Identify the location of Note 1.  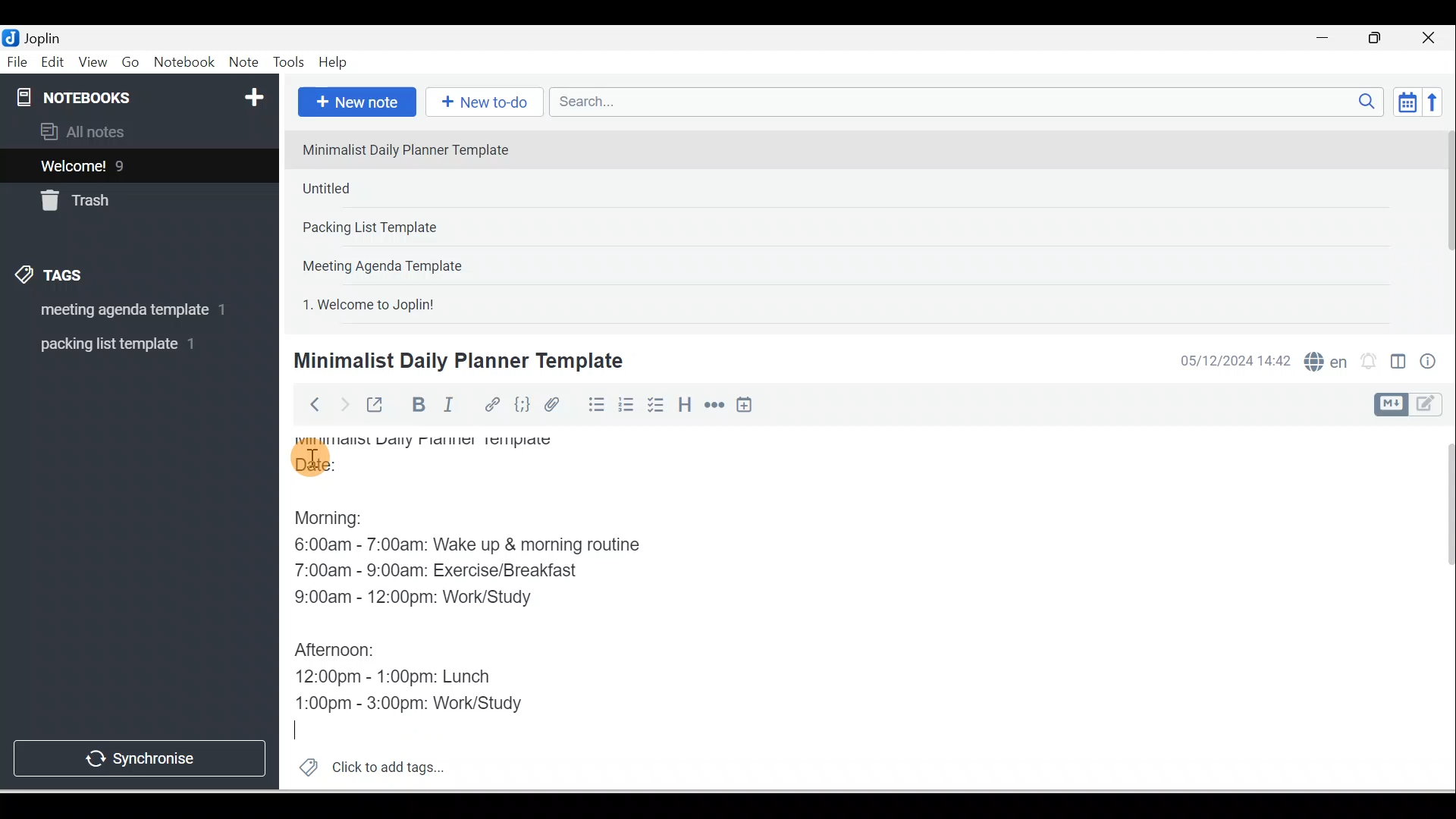
(416, 149).